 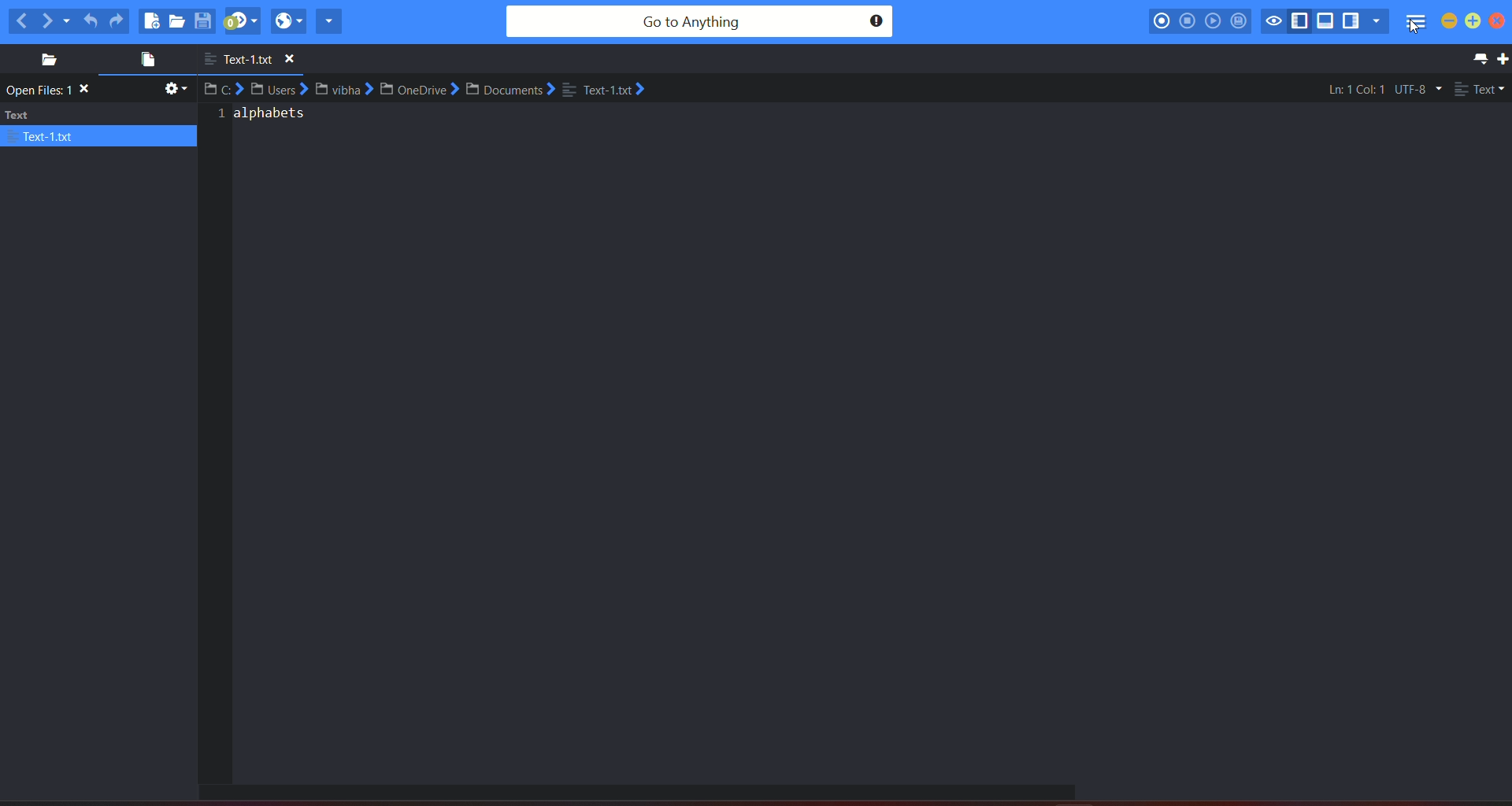 What do you see at coordinates (1502, 22) in the screenshot?
I see `close` at bounding box center [1502, 22].